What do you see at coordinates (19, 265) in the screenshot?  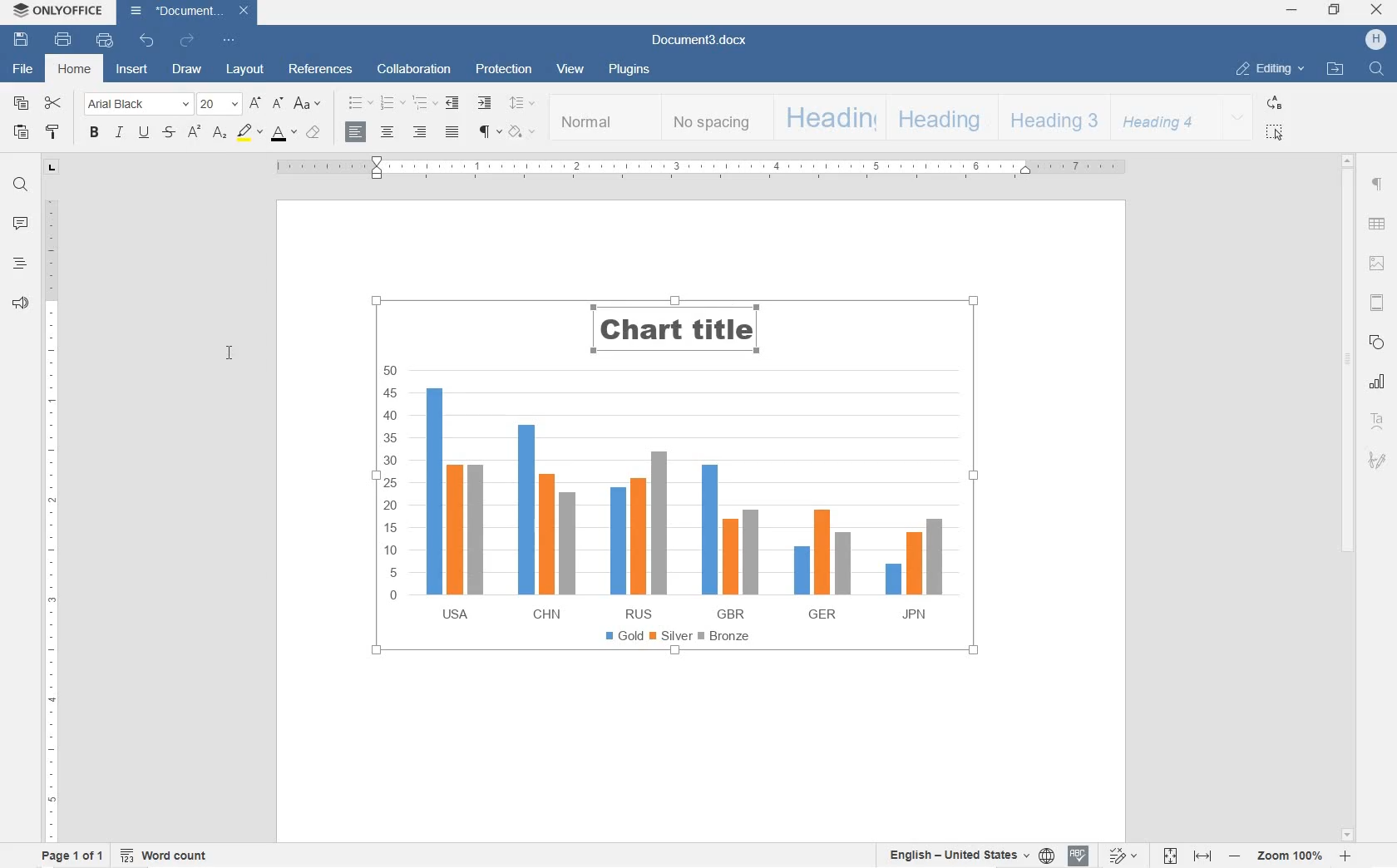 I see `HEADINGS` at bounding box center [19, 265].